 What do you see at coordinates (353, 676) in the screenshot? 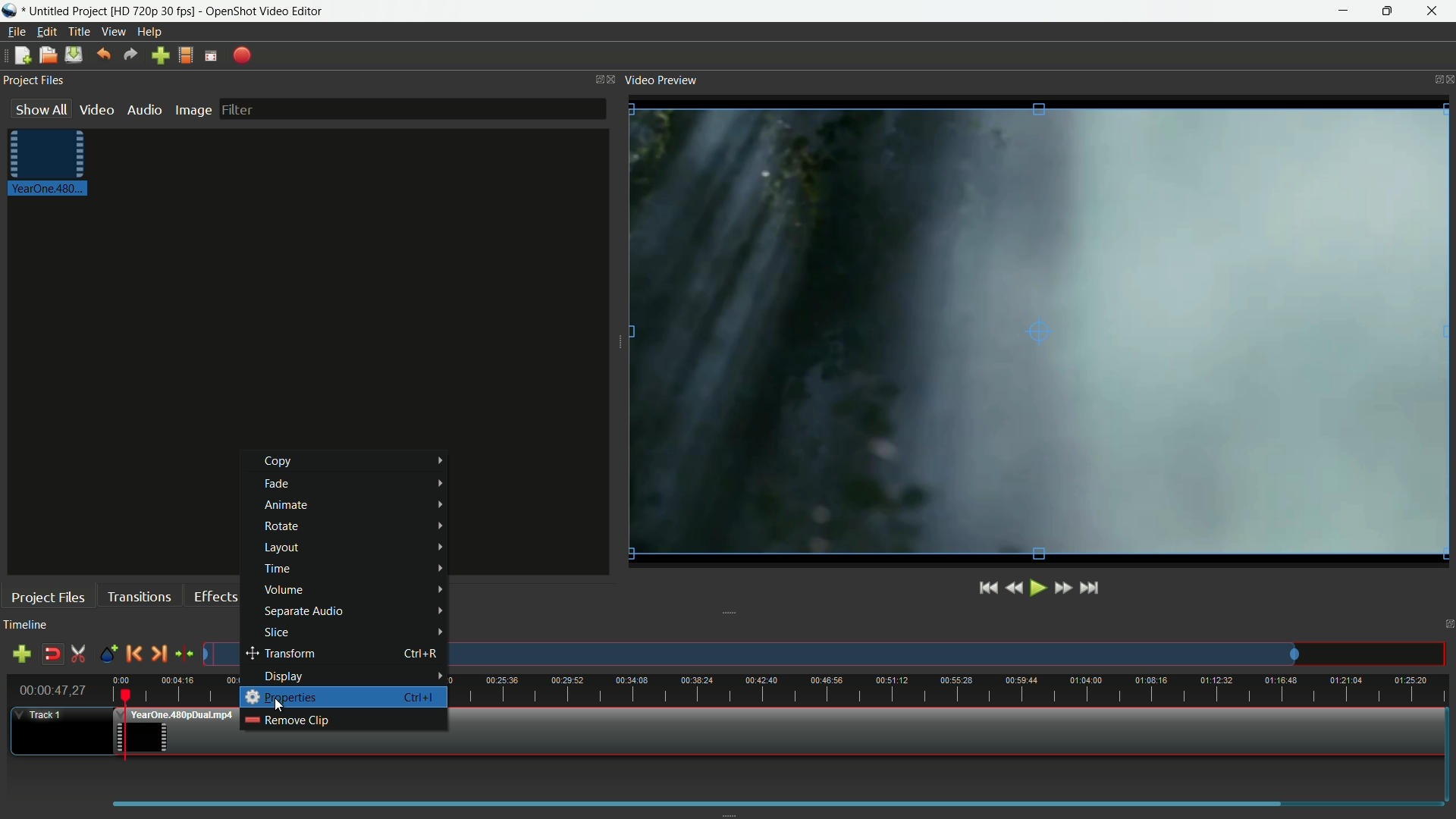
I see `display` at bounding box center [353, 676].